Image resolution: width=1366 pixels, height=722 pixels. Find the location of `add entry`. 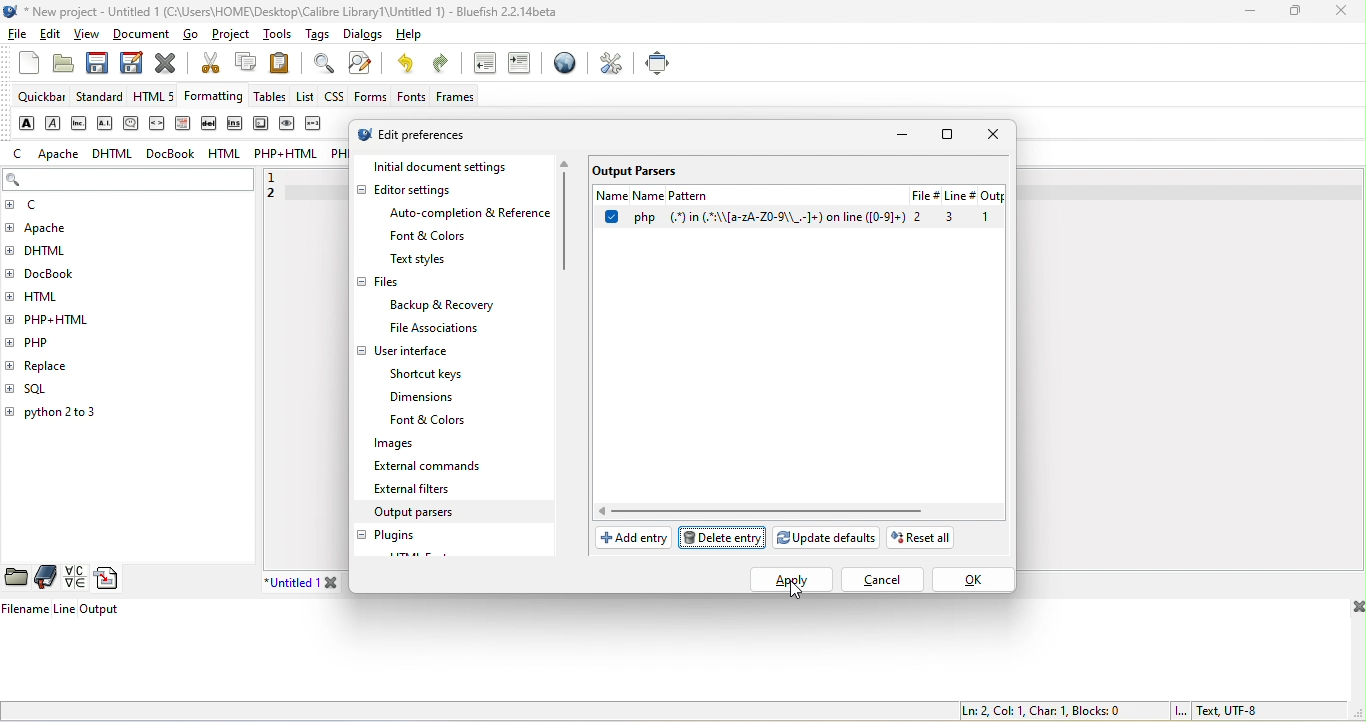

add entry is located at coordinates (632, 540).